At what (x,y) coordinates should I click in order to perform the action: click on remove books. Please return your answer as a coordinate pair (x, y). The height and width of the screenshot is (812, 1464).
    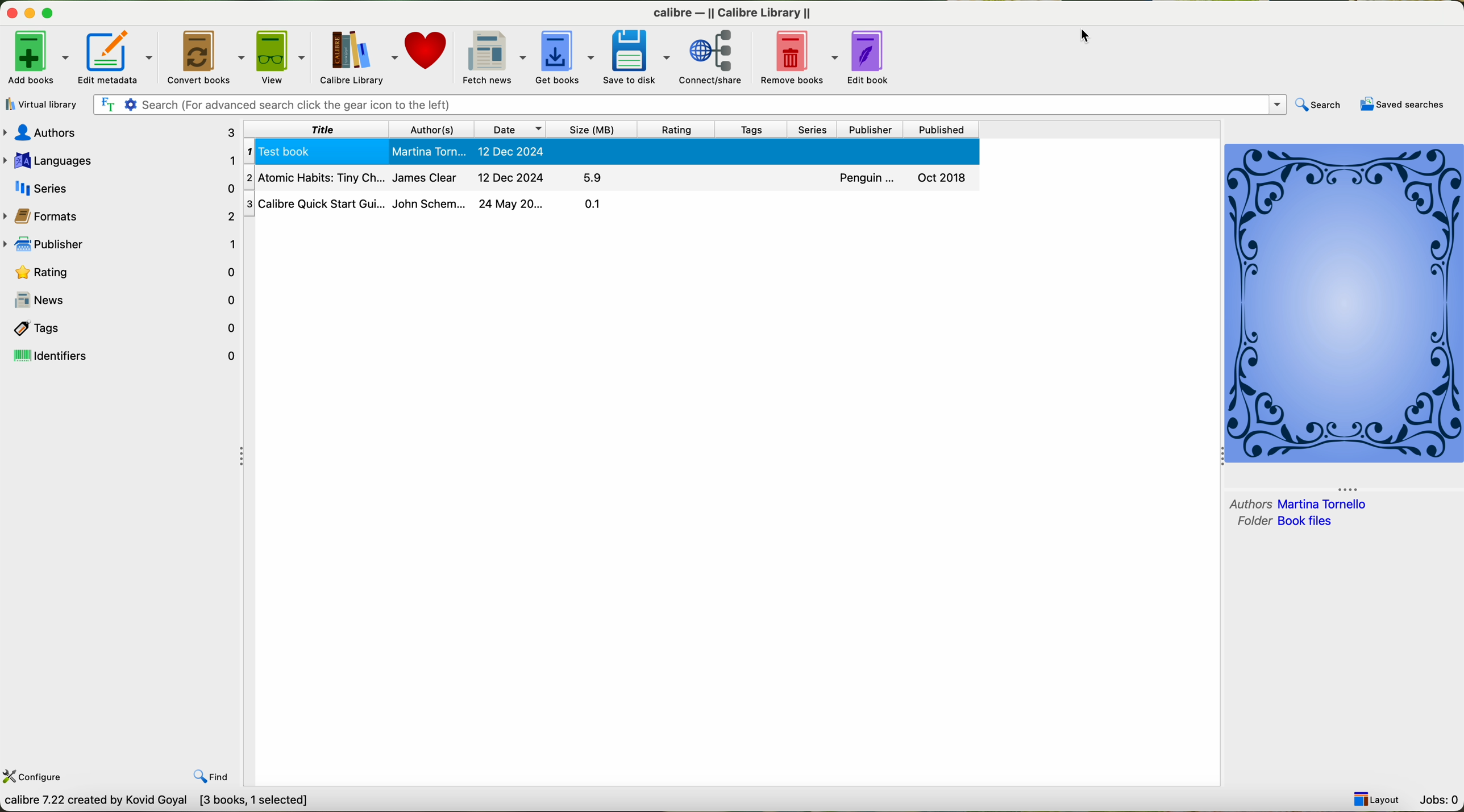
    Looking at the image, I should click on (796, 58).